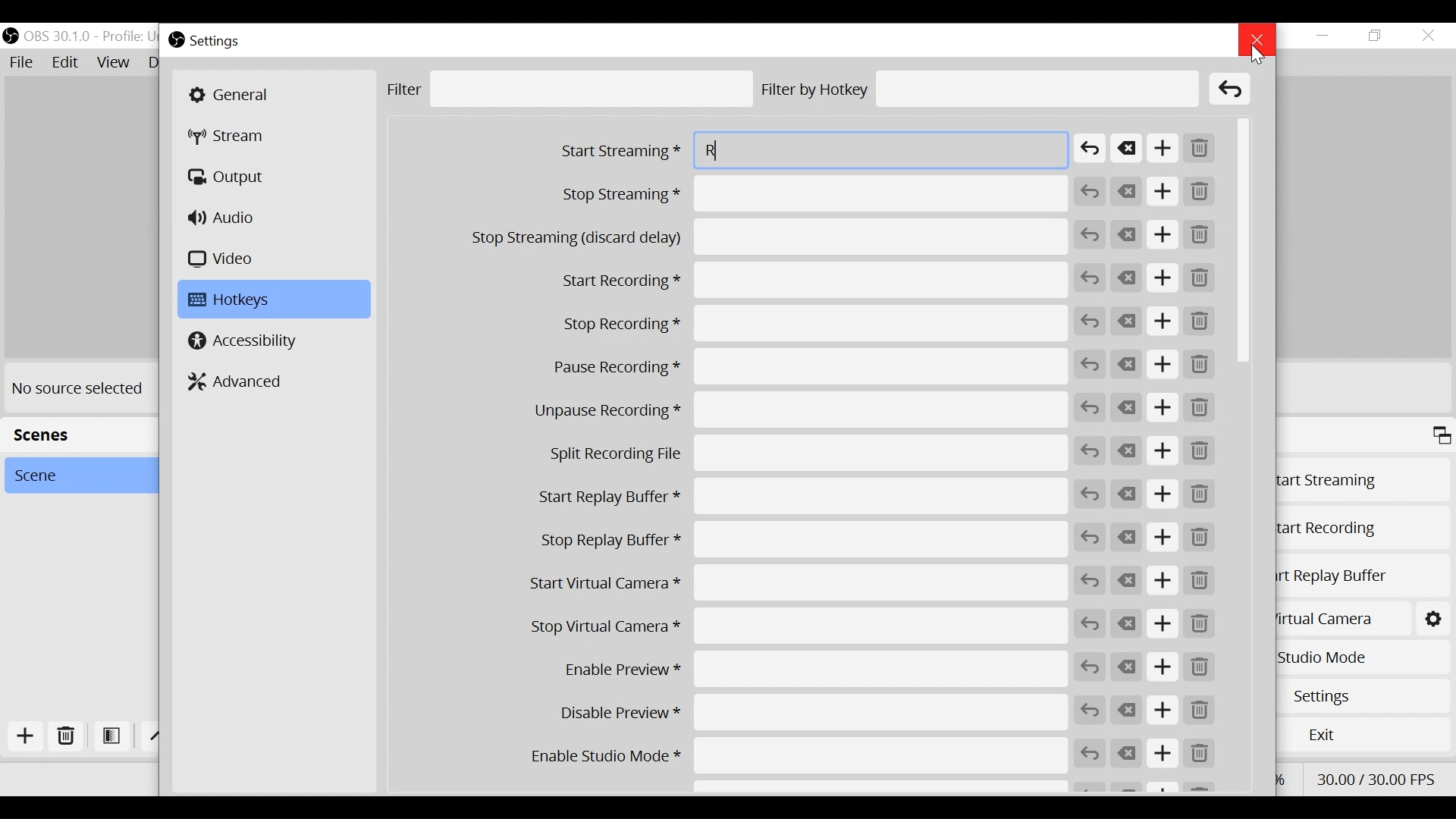  What do you see at coordinates (1200, 367) in the screenshot?
I see `Remove` at bounding box center [1200, 367].